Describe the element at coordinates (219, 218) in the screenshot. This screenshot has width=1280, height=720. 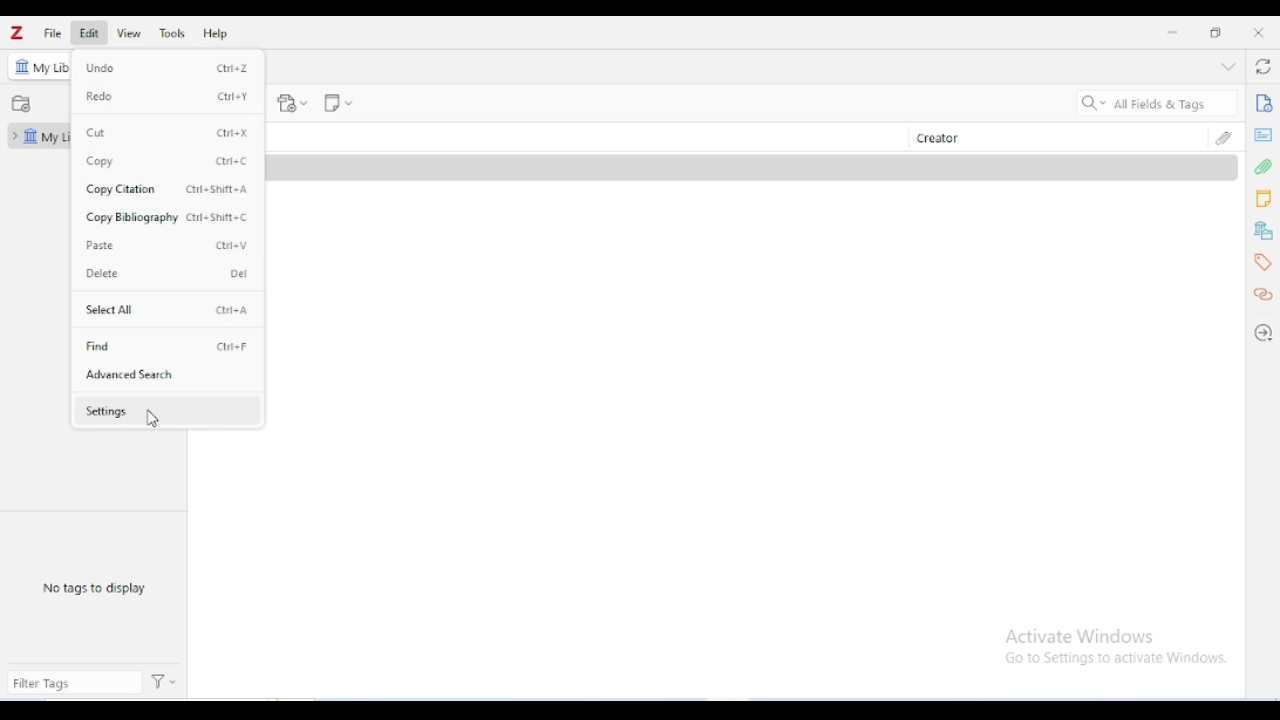
I see `ctrl+shift+C` at that location.